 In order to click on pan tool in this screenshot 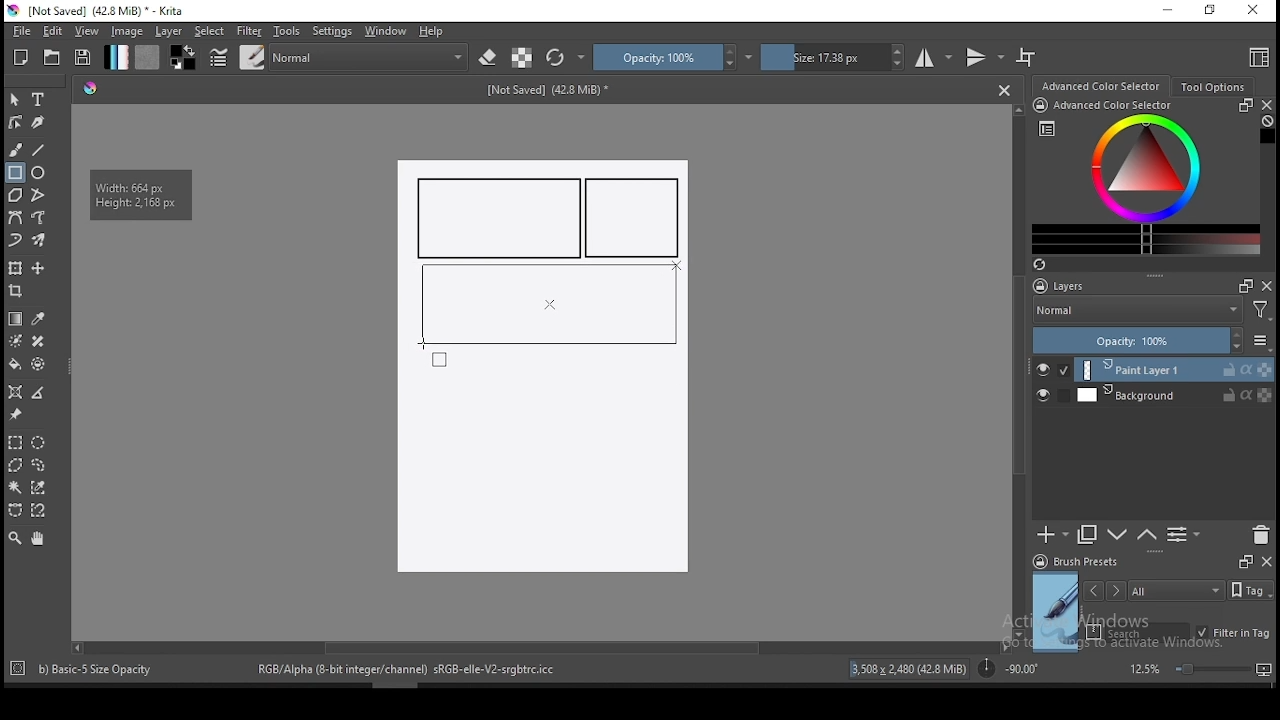, I will do `click(36, 539)`.